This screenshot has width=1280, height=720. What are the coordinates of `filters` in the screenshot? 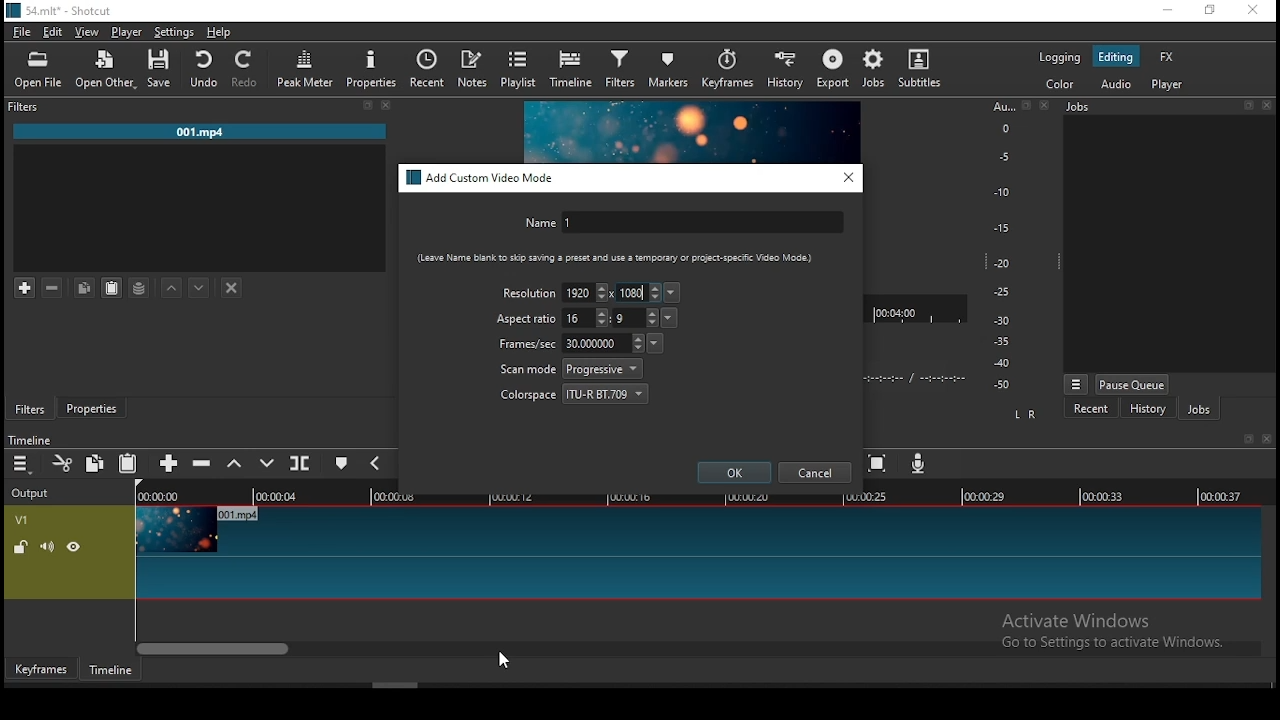 It's located at (30, 409).